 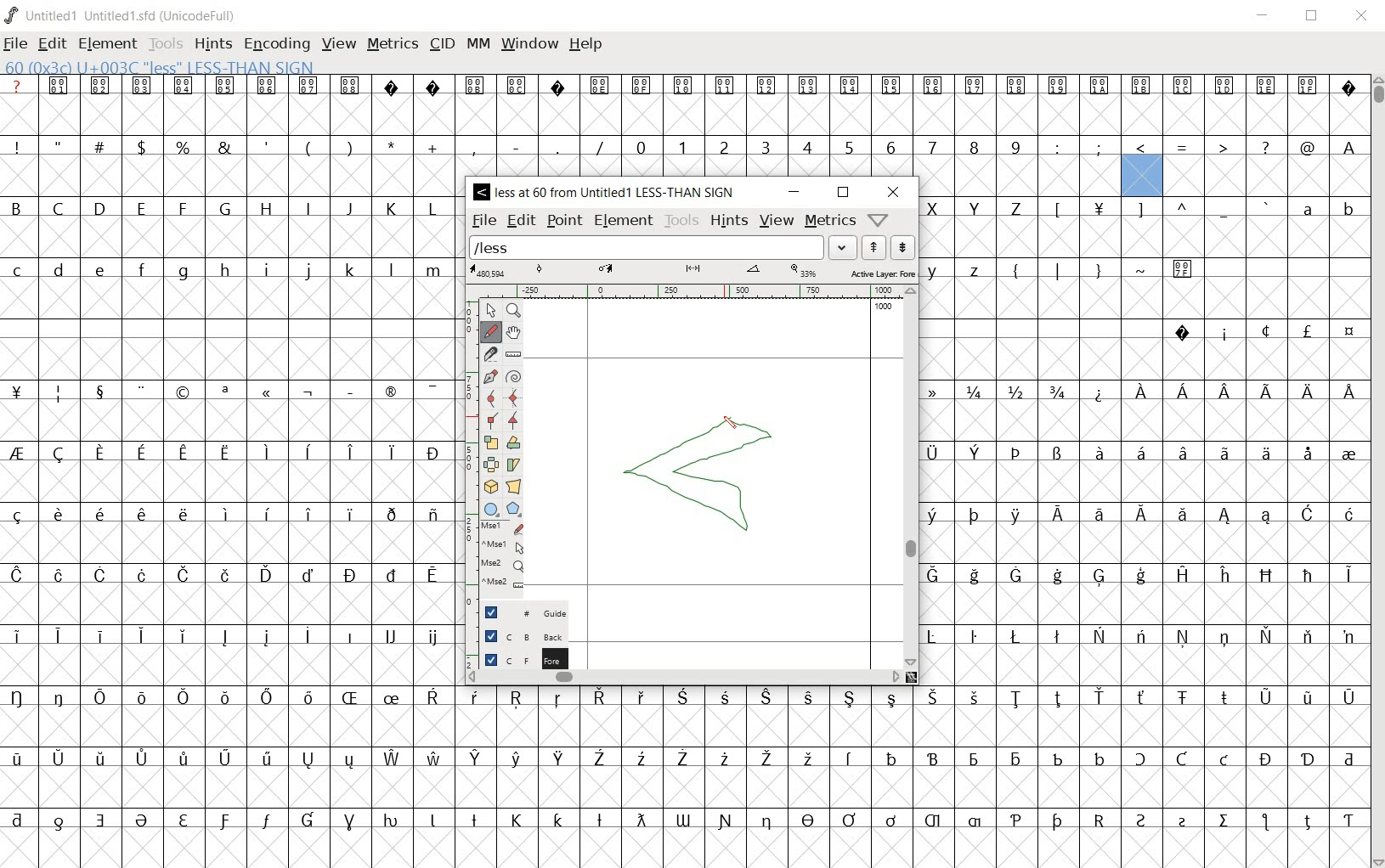 What do you see at coordinates (663, 247) in the screenshot?
I see `load word list` at bounding box center [663, 247].